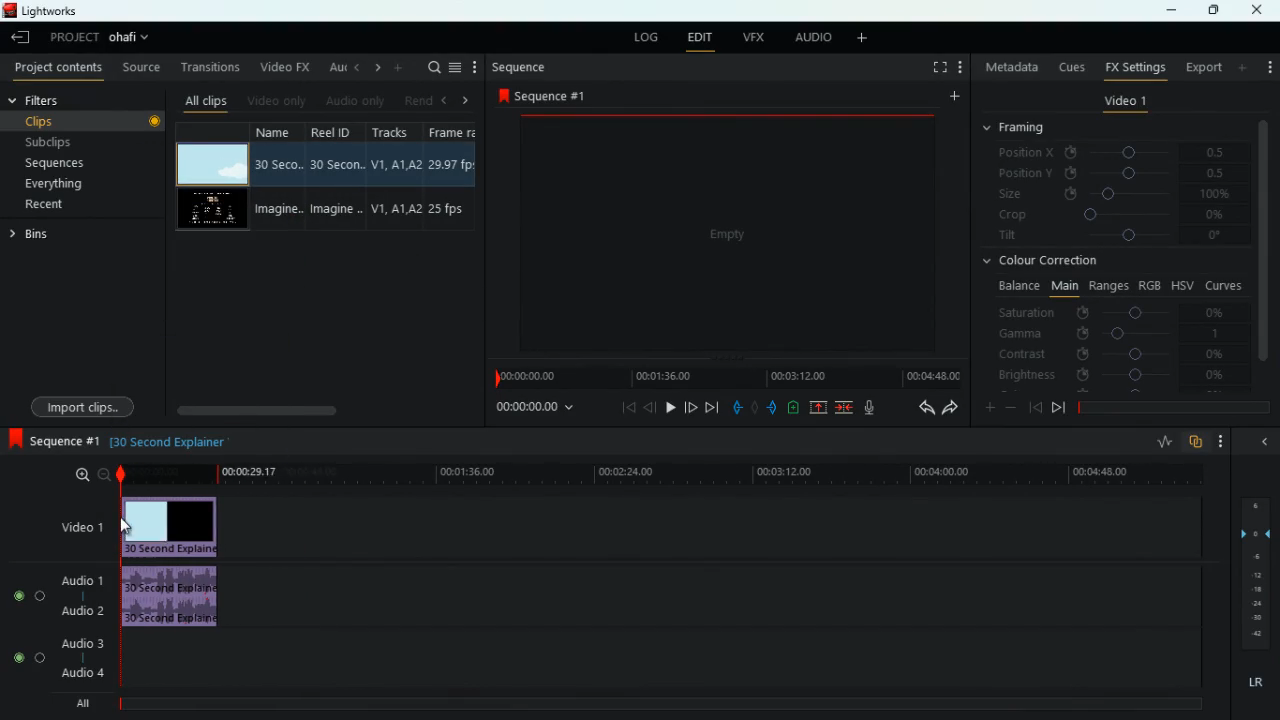 Image resolution: width=1280 pixels, height=720 pixels. Describe the element at coordinates (1208, 10) in the screenshot. I see `maximize` at that location.